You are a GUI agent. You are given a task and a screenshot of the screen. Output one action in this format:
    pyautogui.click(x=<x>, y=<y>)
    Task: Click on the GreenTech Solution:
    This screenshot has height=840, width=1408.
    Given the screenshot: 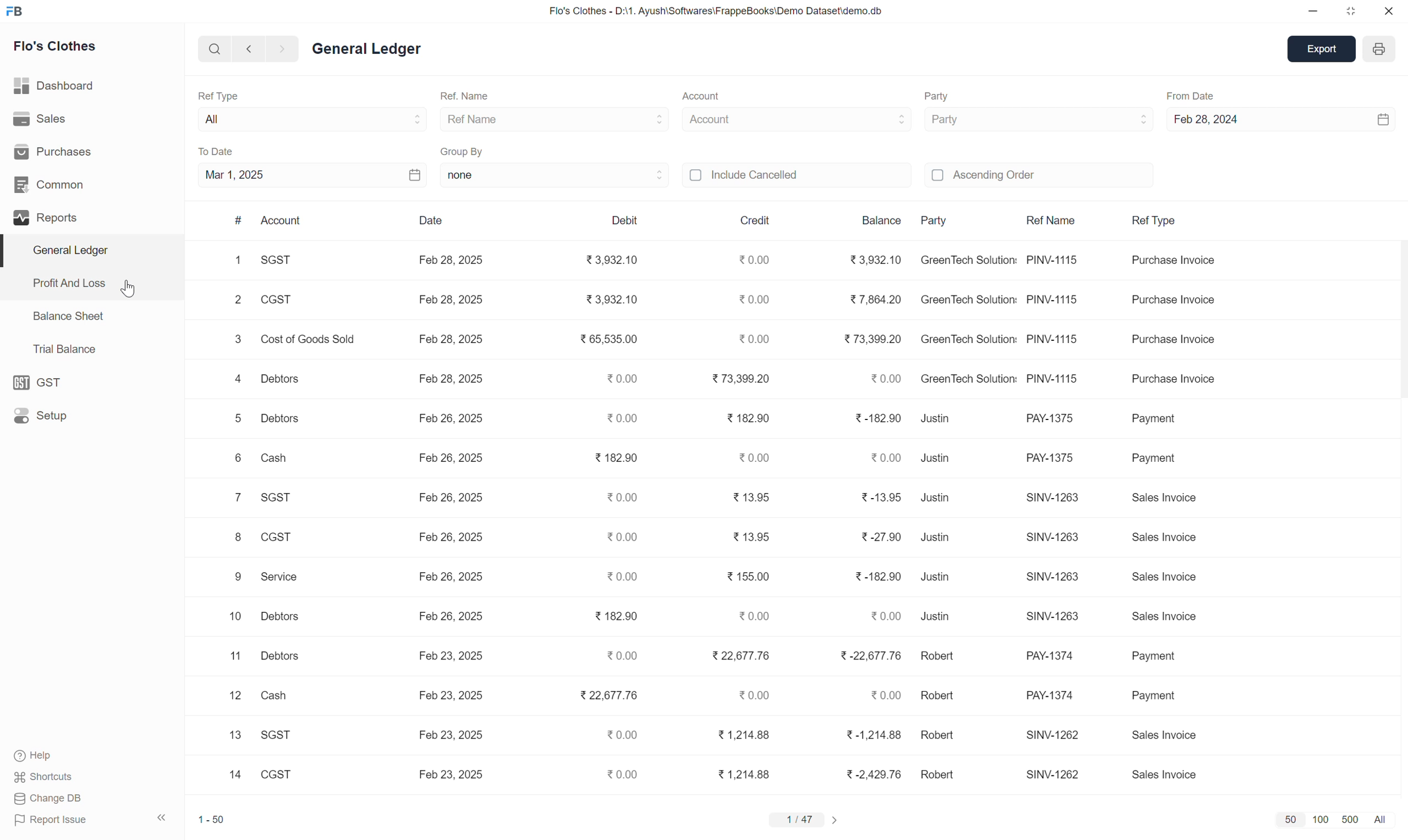 What is the action you would take?
    pyautogui.click(x=970, y=381)
    